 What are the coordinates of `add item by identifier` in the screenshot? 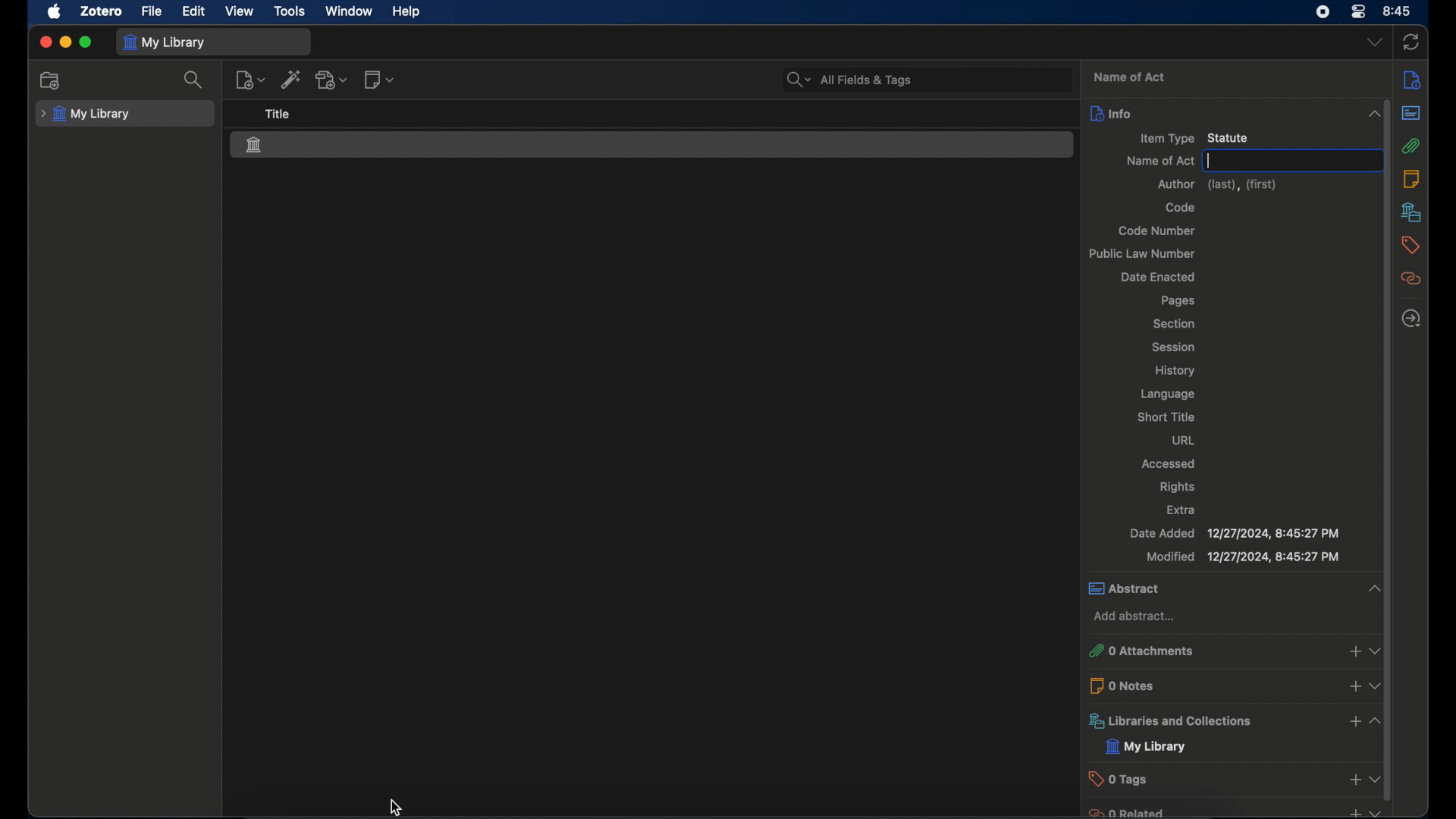 It's located at (292, 81).